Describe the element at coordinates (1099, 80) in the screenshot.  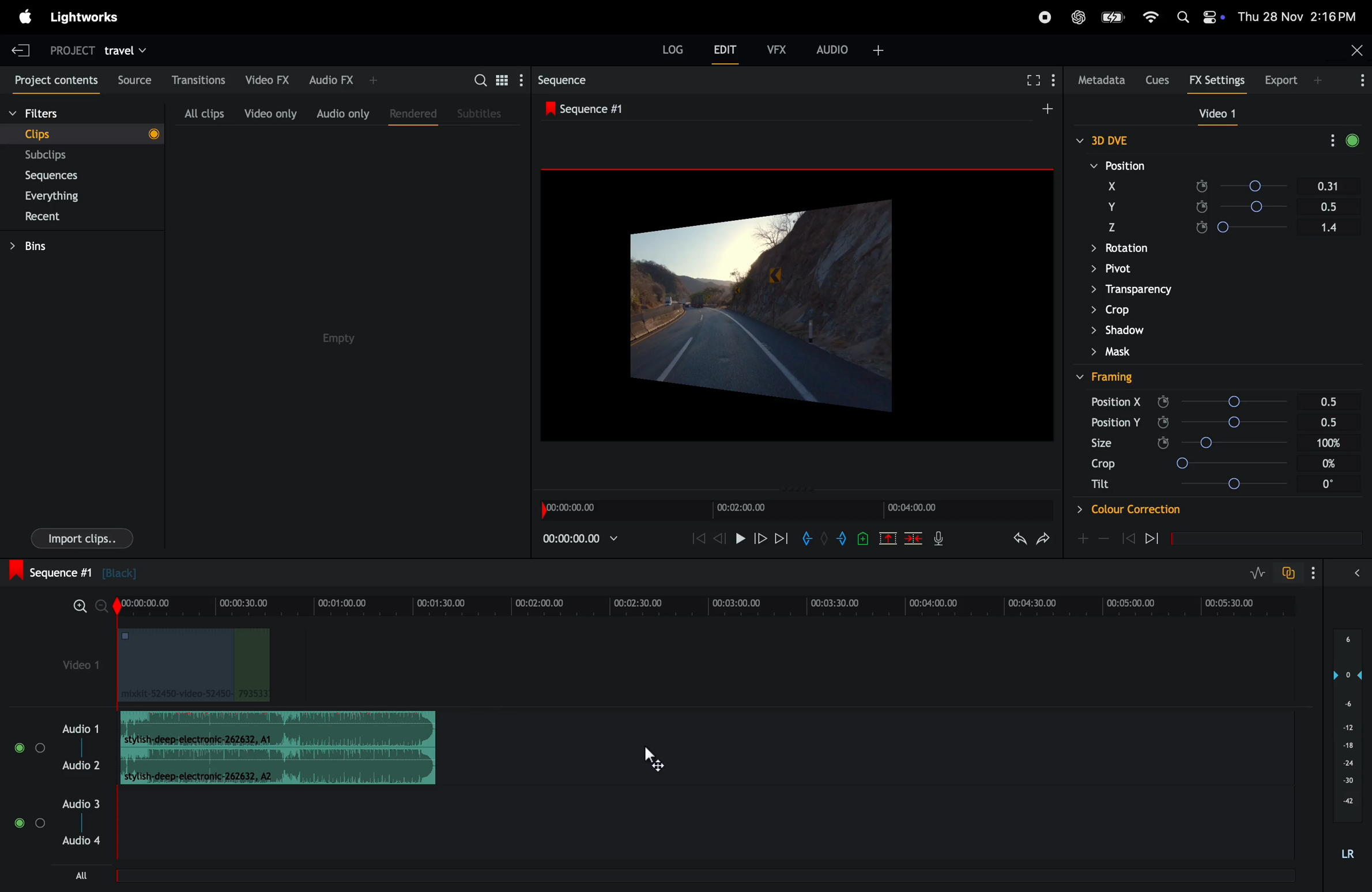
I see `metadata` at that location.